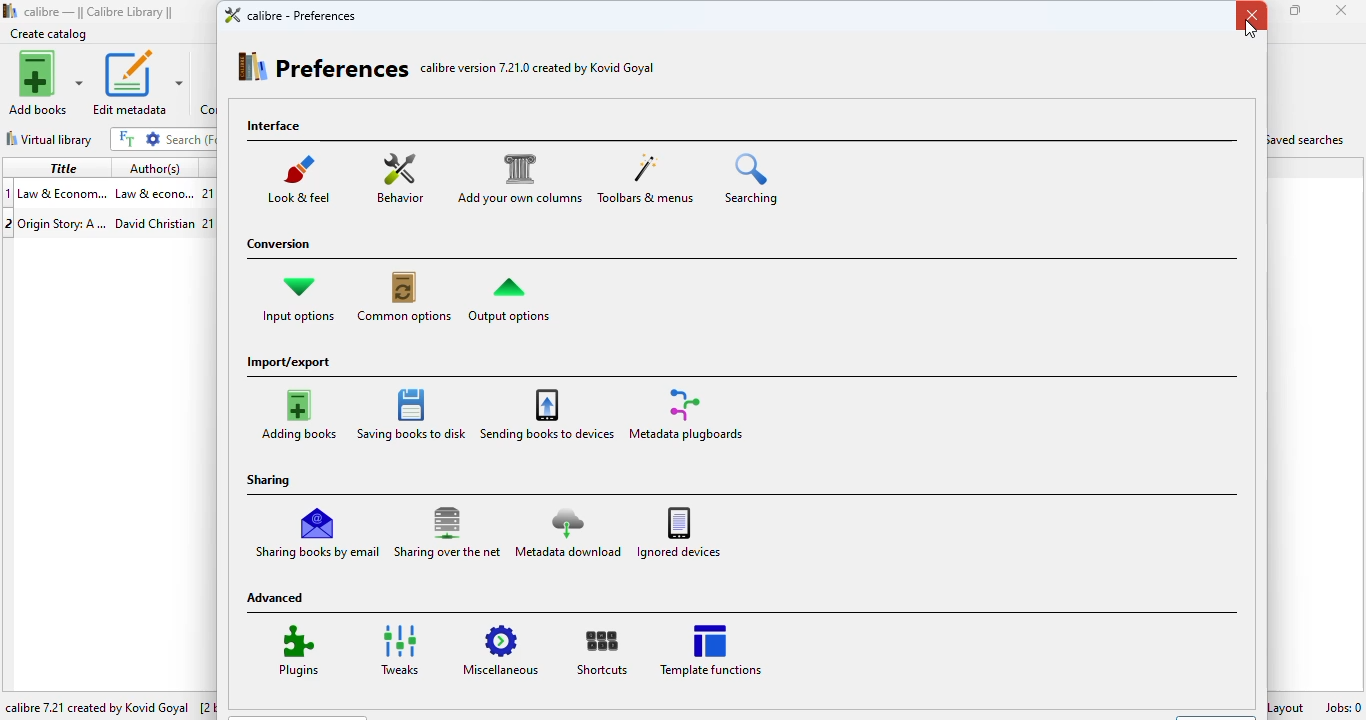 The image size is (1366, 720). What do you see at coordinates (398, 651) in the screenshot?
I see `tweaks` at bounding box center [398, 651].